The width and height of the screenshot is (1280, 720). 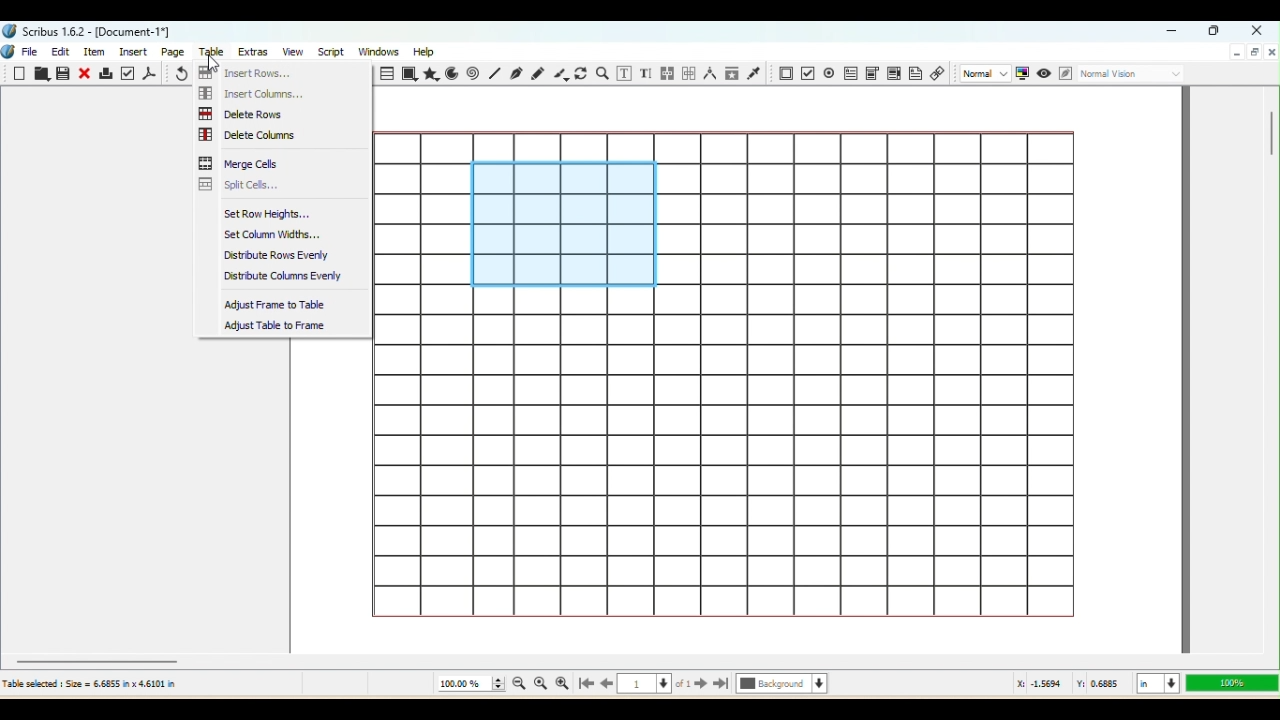 I want to click on Shape tool, so click(x=410, y=74).